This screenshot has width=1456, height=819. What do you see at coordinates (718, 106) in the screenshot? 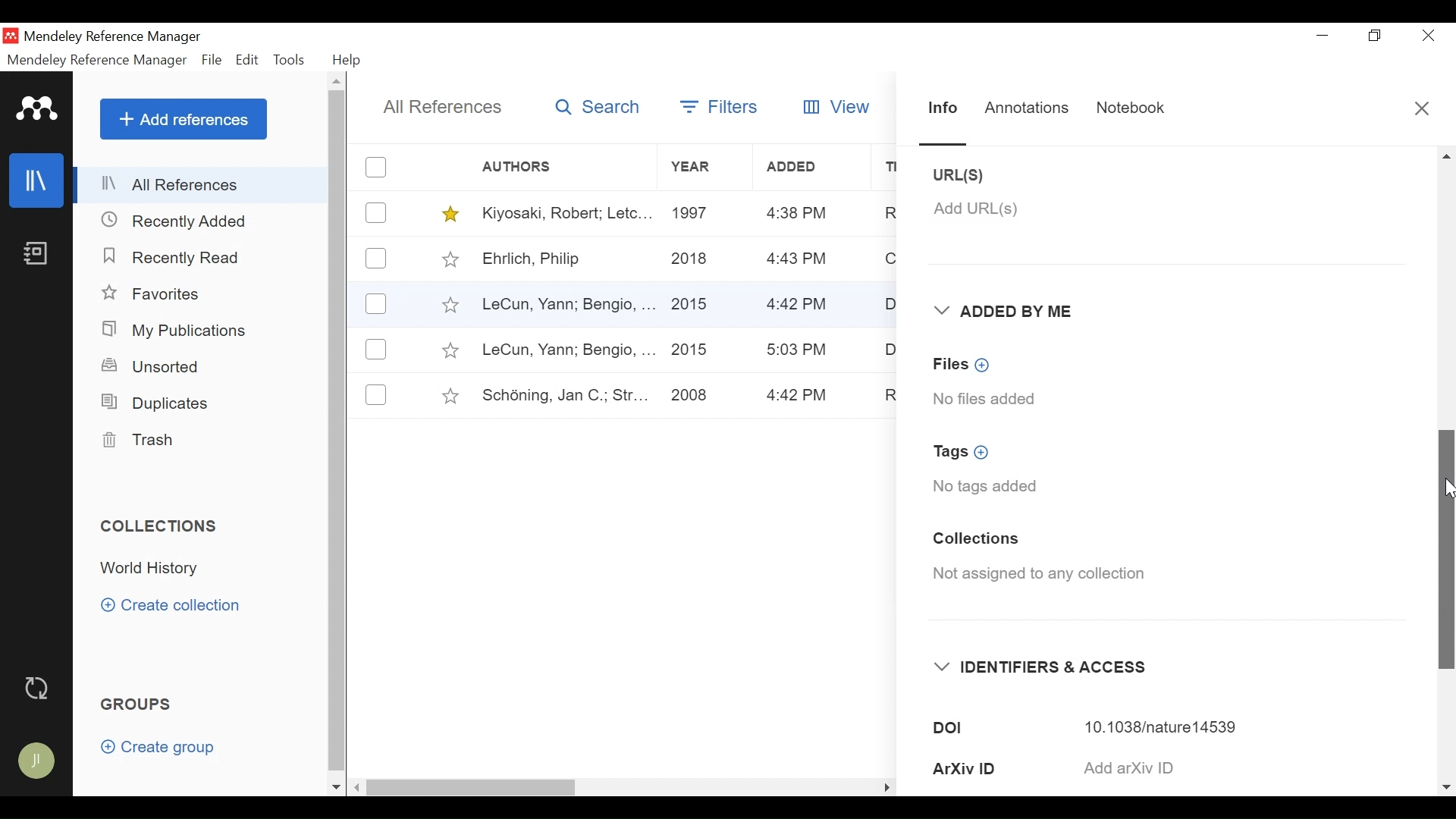
I see `Filters` at bounding box center [718, 106].